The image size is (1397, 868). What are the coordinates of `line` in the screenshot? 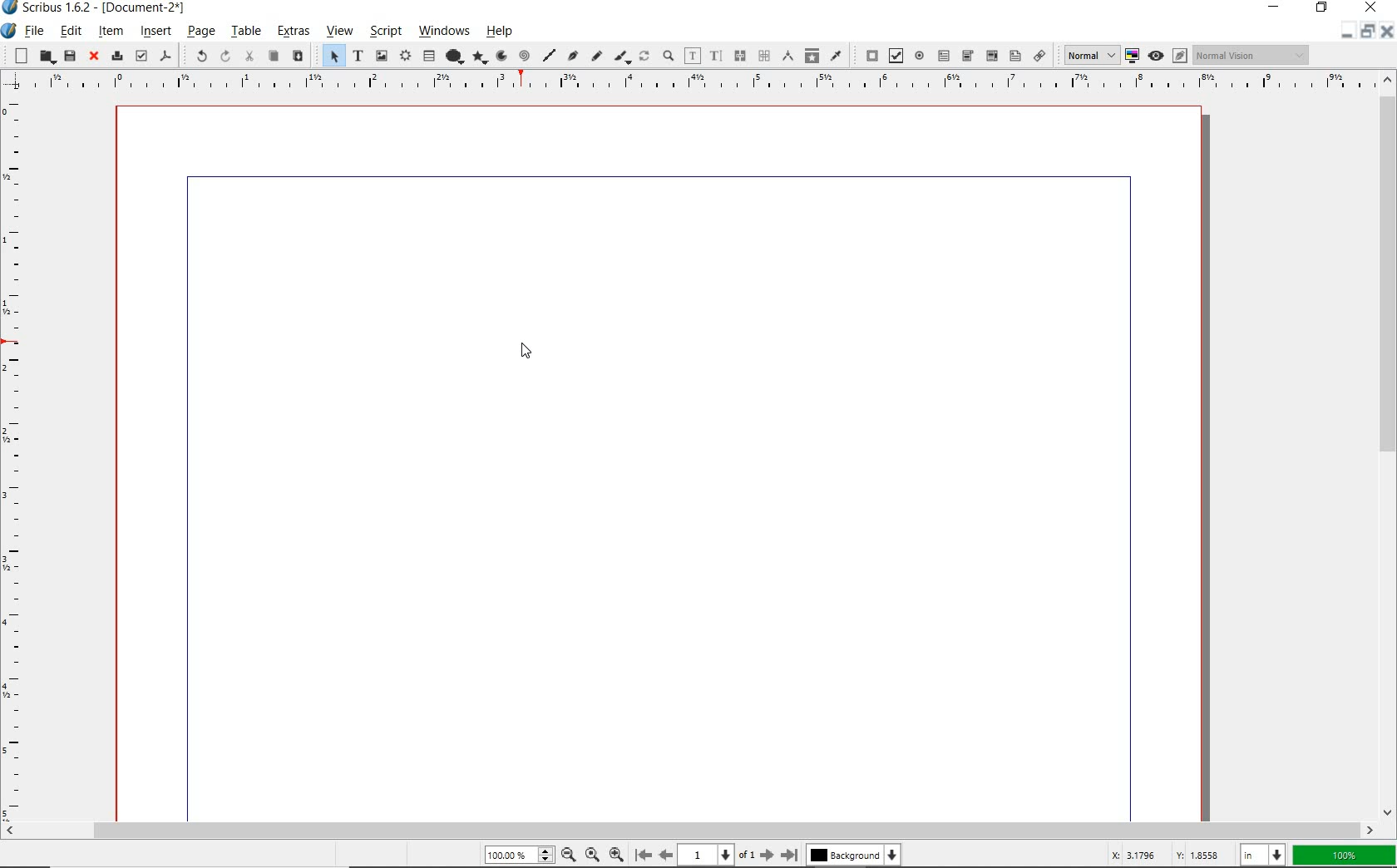 It's located at (548, 52).